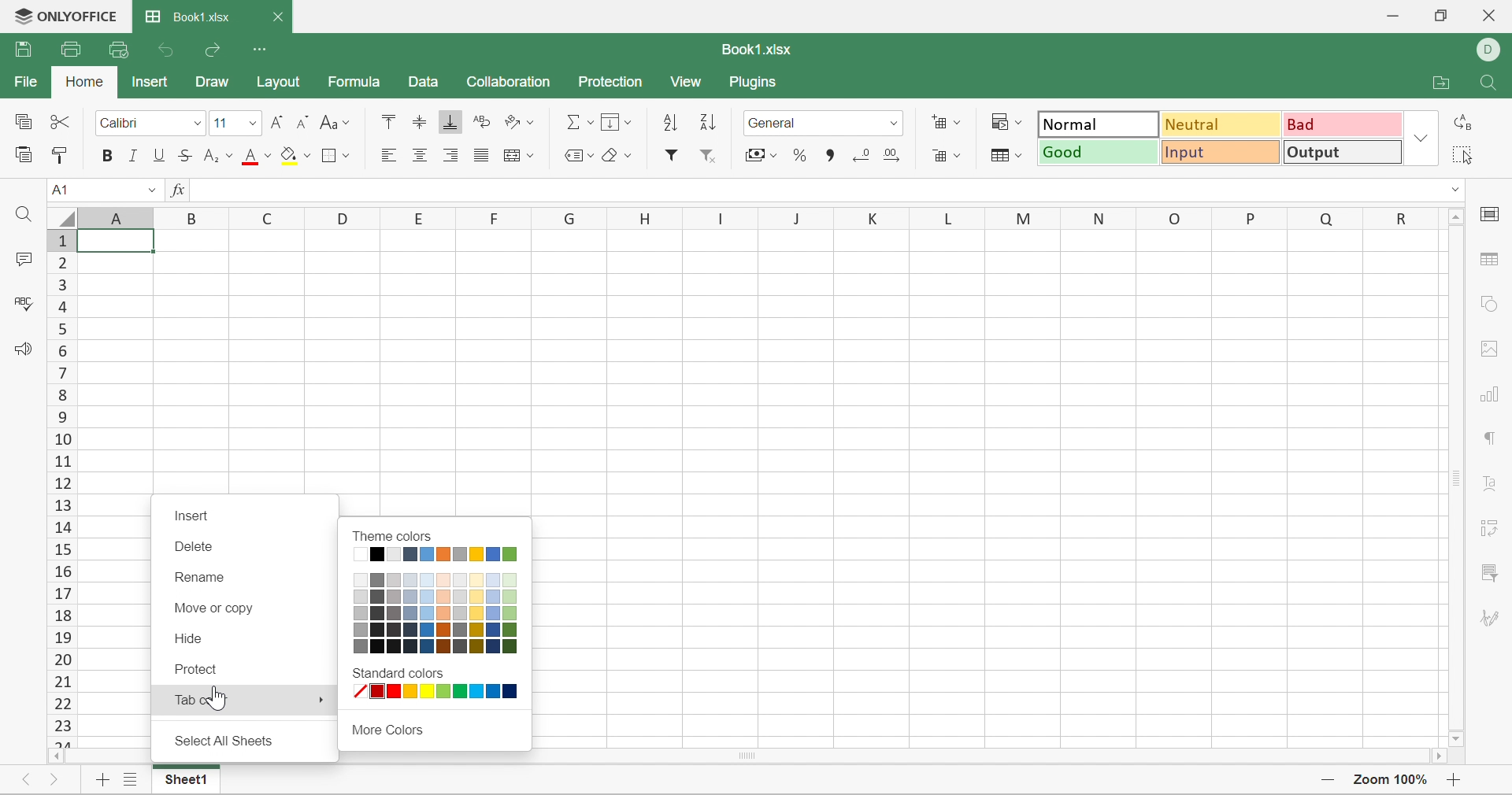 The height and width of the screenshot is (795, 1512). What do you see at coordinates (150, 81) in the screenshot?
I see `Insert` at bounding box center [150, 81].